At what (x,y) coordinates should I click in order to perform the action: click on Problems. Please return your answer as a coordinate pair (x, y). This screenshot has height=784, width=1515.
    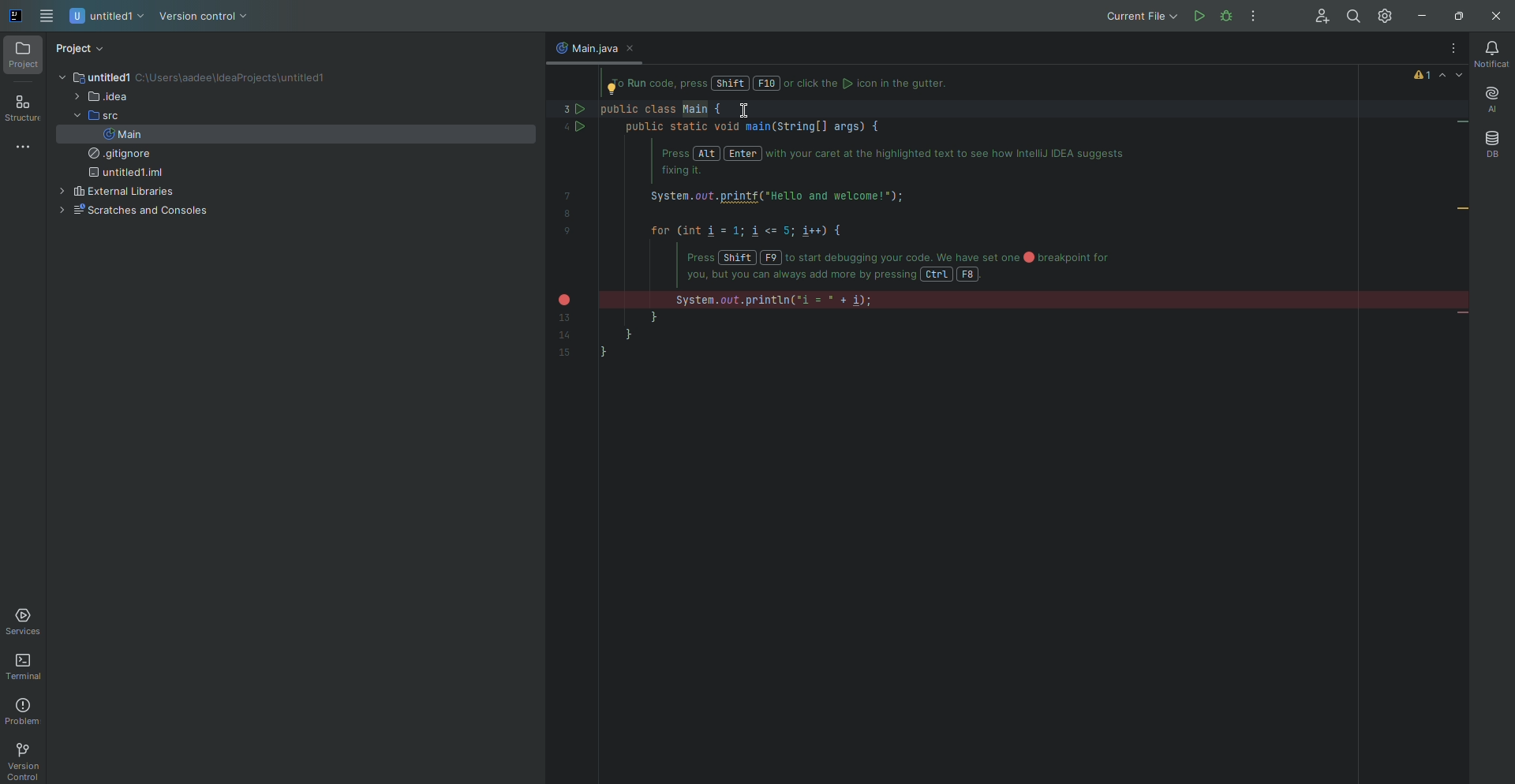
    Looking at the image, I should click on (25, 711).